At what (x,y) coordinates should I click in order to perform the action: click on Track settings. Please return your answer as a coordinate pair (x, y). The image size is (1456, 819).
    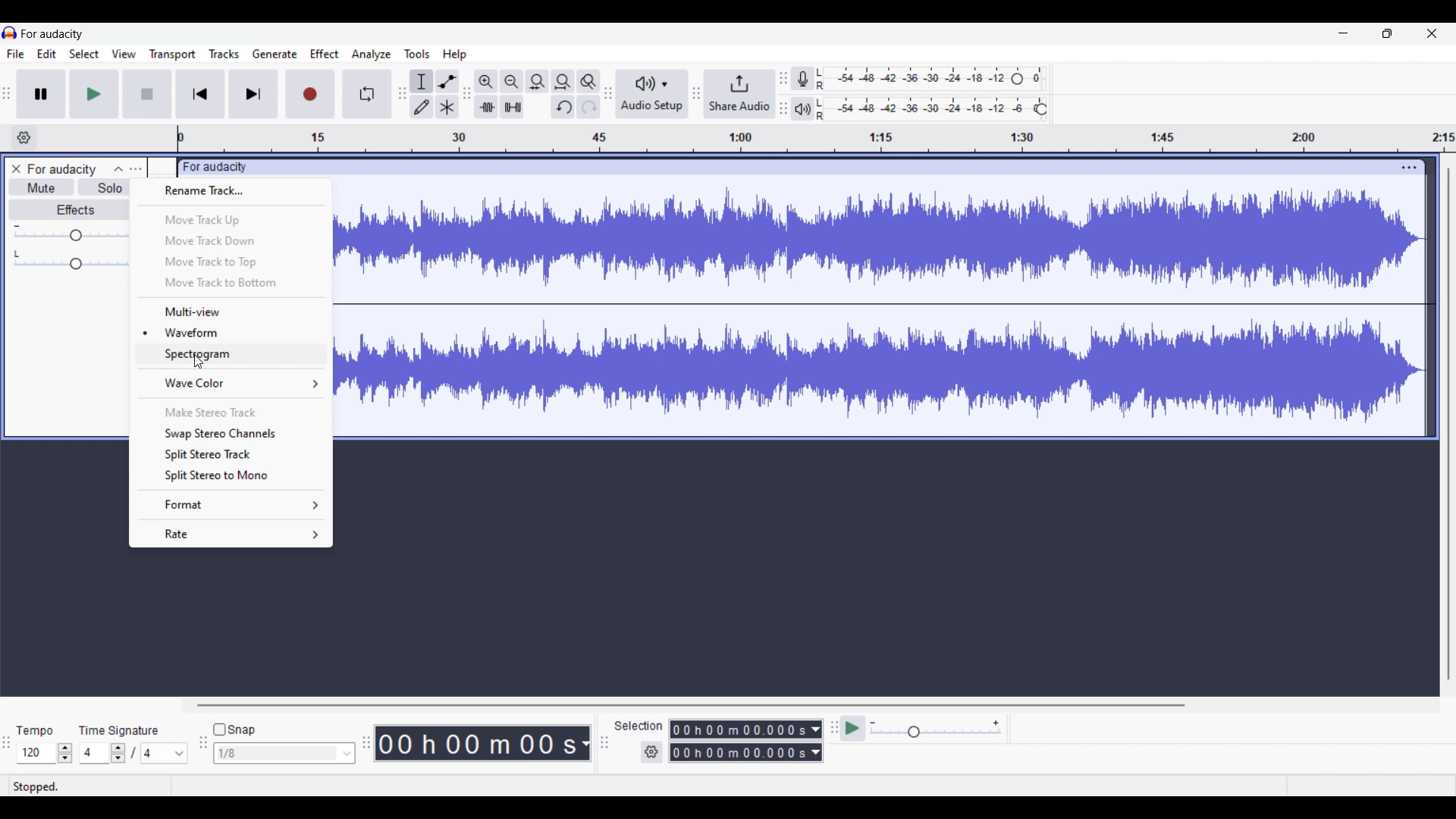
    Looking at the image, I should click on (1410, 168).